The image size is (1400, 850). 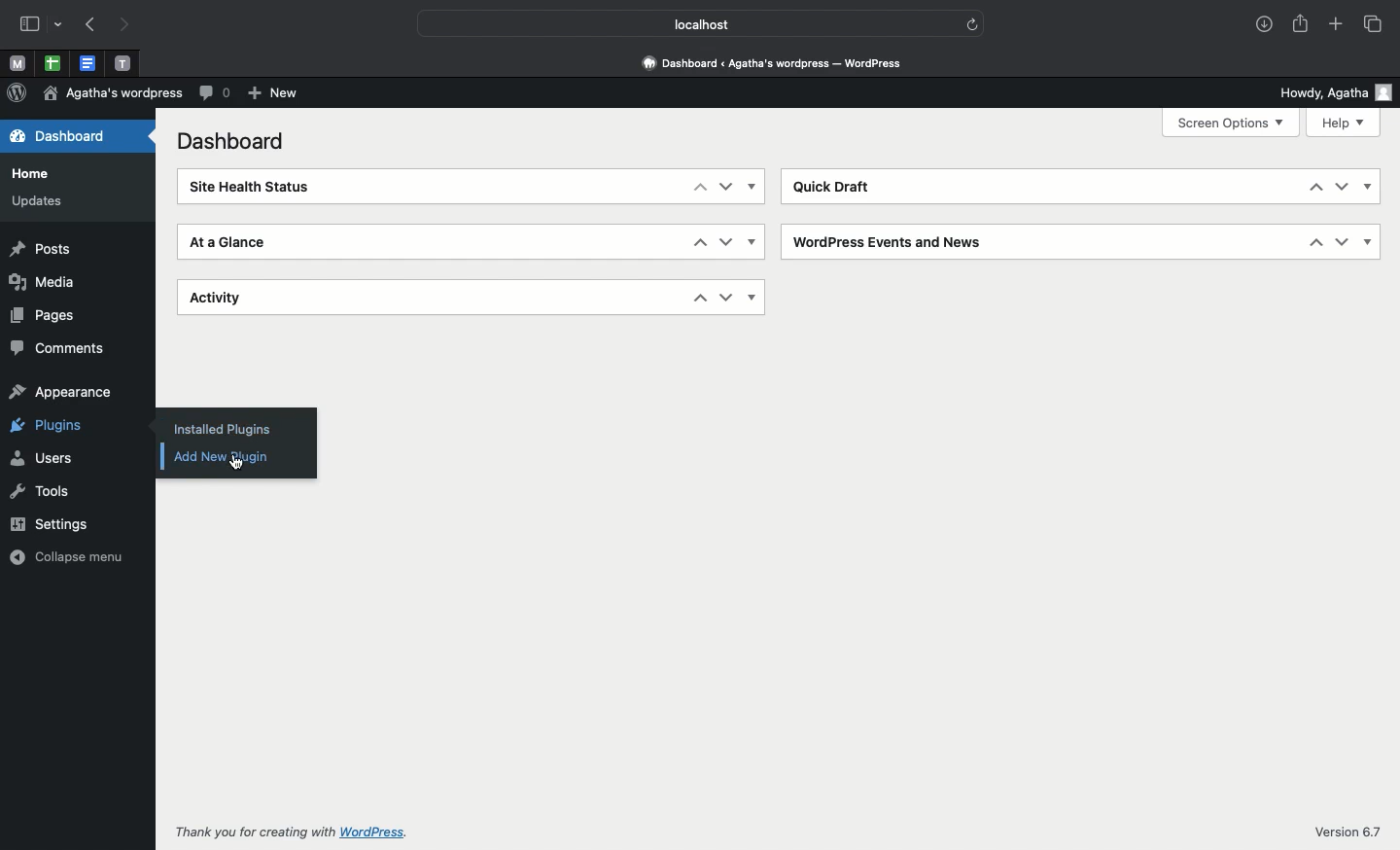 I want to click on Activity, so click(x=220, y=296).